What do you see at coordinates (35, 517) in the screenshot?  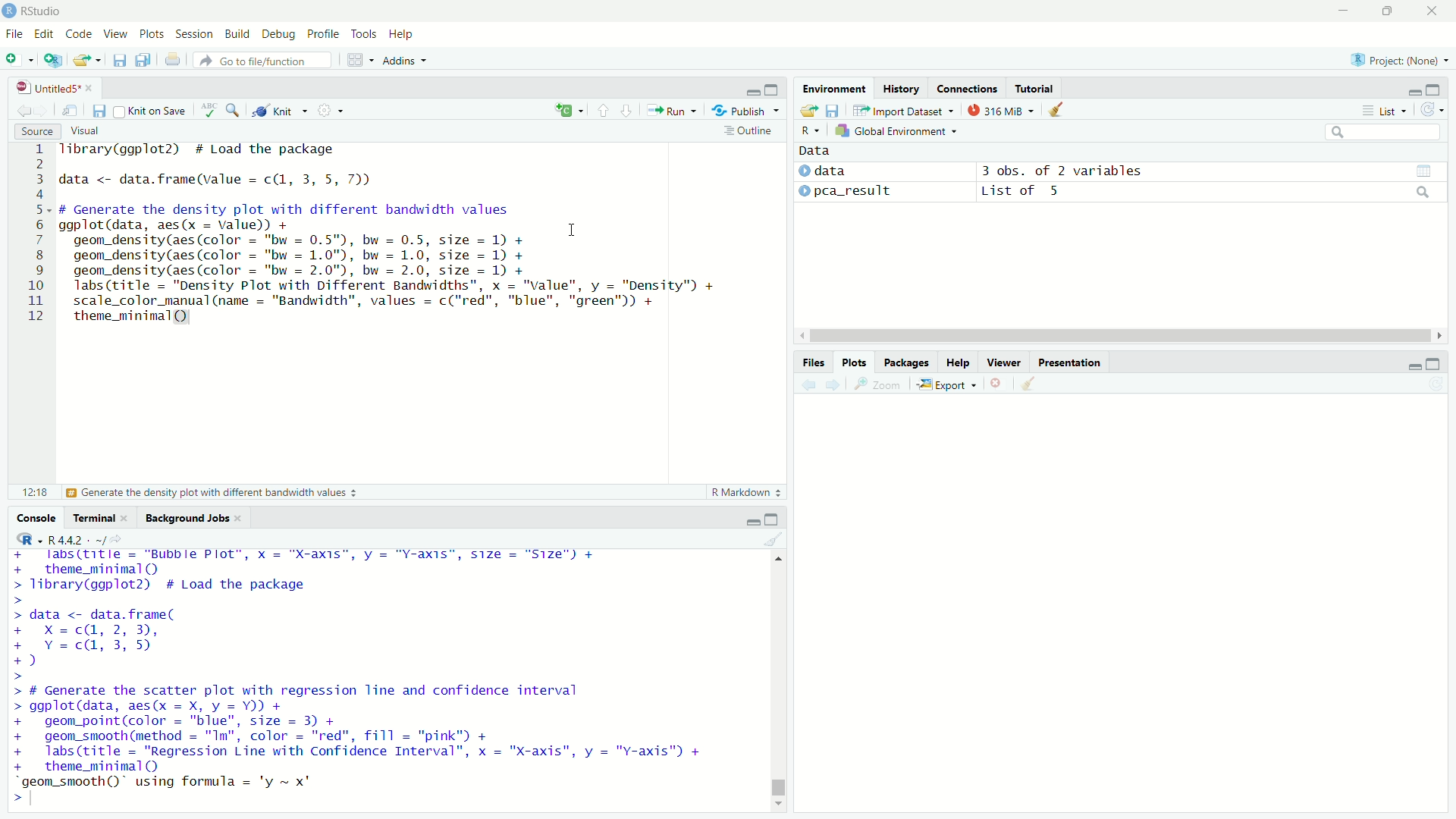 I see `Console` at bounding box center [35, 517].